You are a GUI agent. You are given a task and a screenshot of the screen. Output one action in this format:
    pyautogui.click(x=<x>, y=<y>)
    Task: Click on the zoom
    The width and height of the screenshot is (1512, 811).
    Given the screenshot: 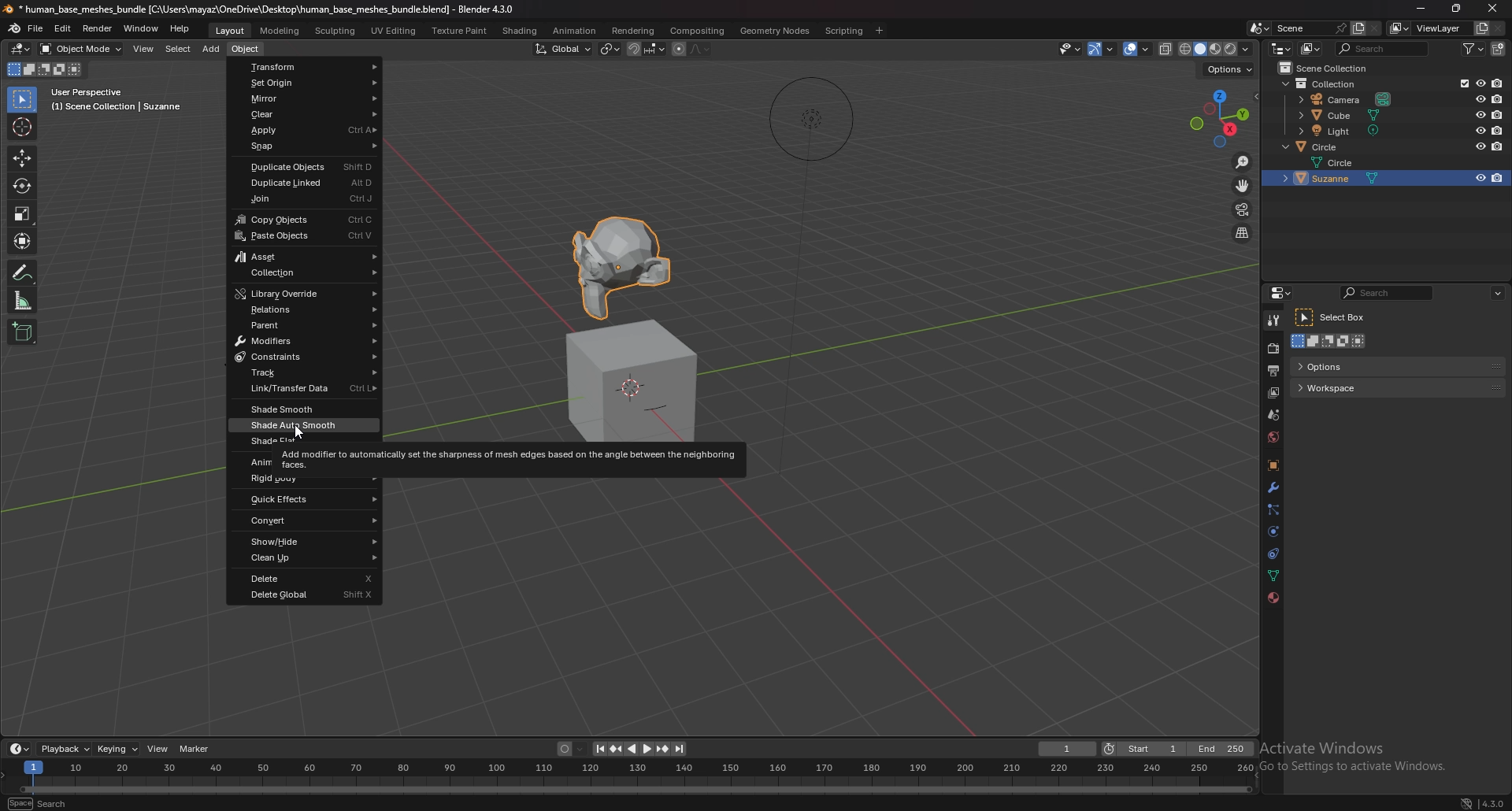 What is the action you would take?
    pyautogui.click(x=1243, y=162)
    